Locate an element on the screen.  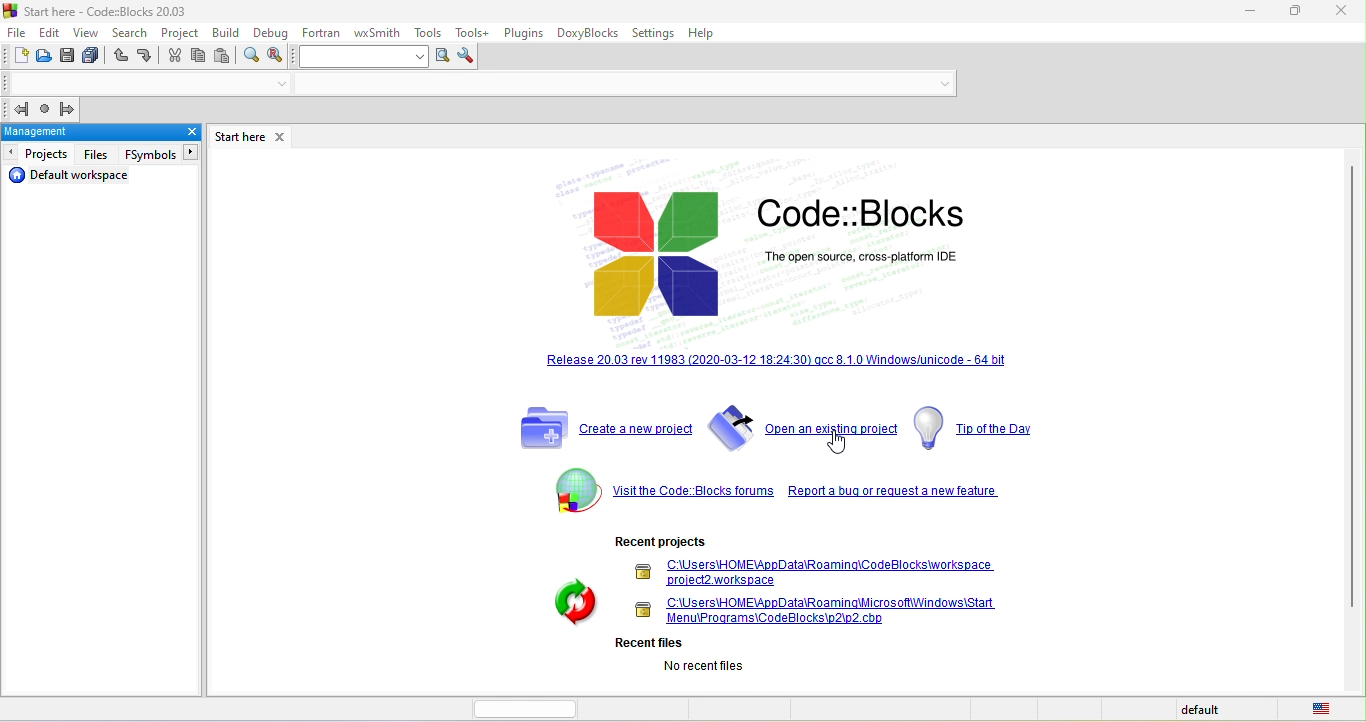
default is located at coordinates (1206, 710).